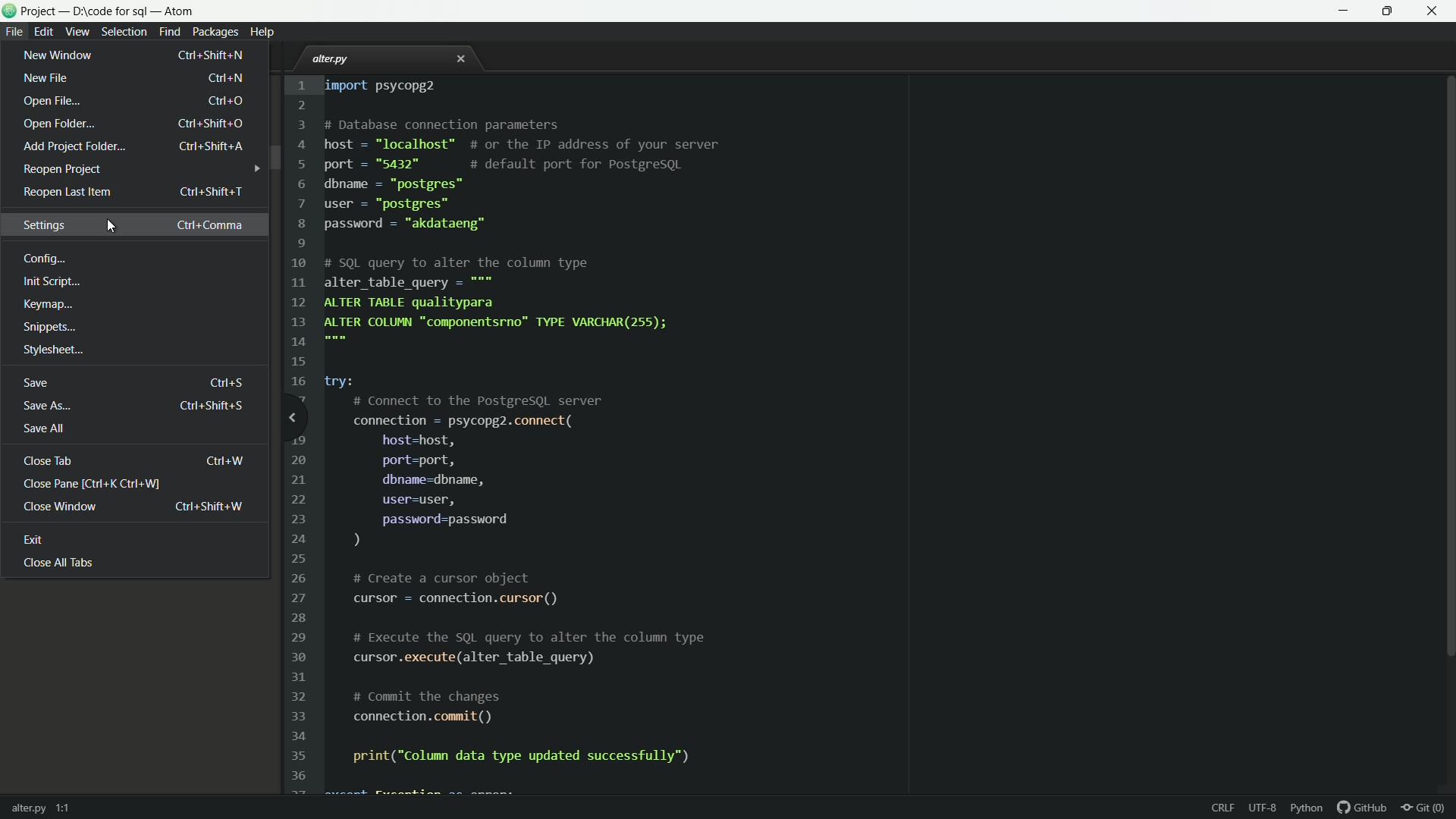 This screenshot has width=1456, height=819. What do you see at coordinates (217, 32) in the screenshot?
I see `packages menu` at bounding box center [217, 32].